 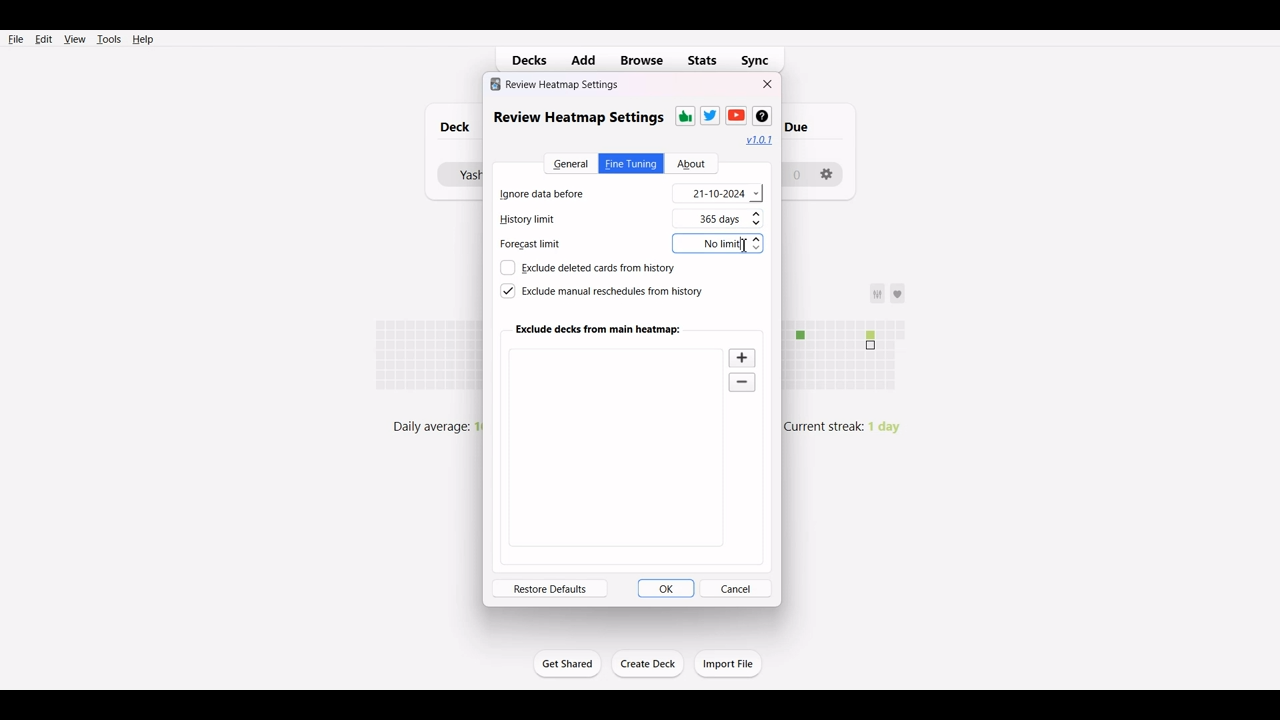 What do you see at coordinates (795, 173) in the screenshot?
I see `0` at bounding box center [795, 173].